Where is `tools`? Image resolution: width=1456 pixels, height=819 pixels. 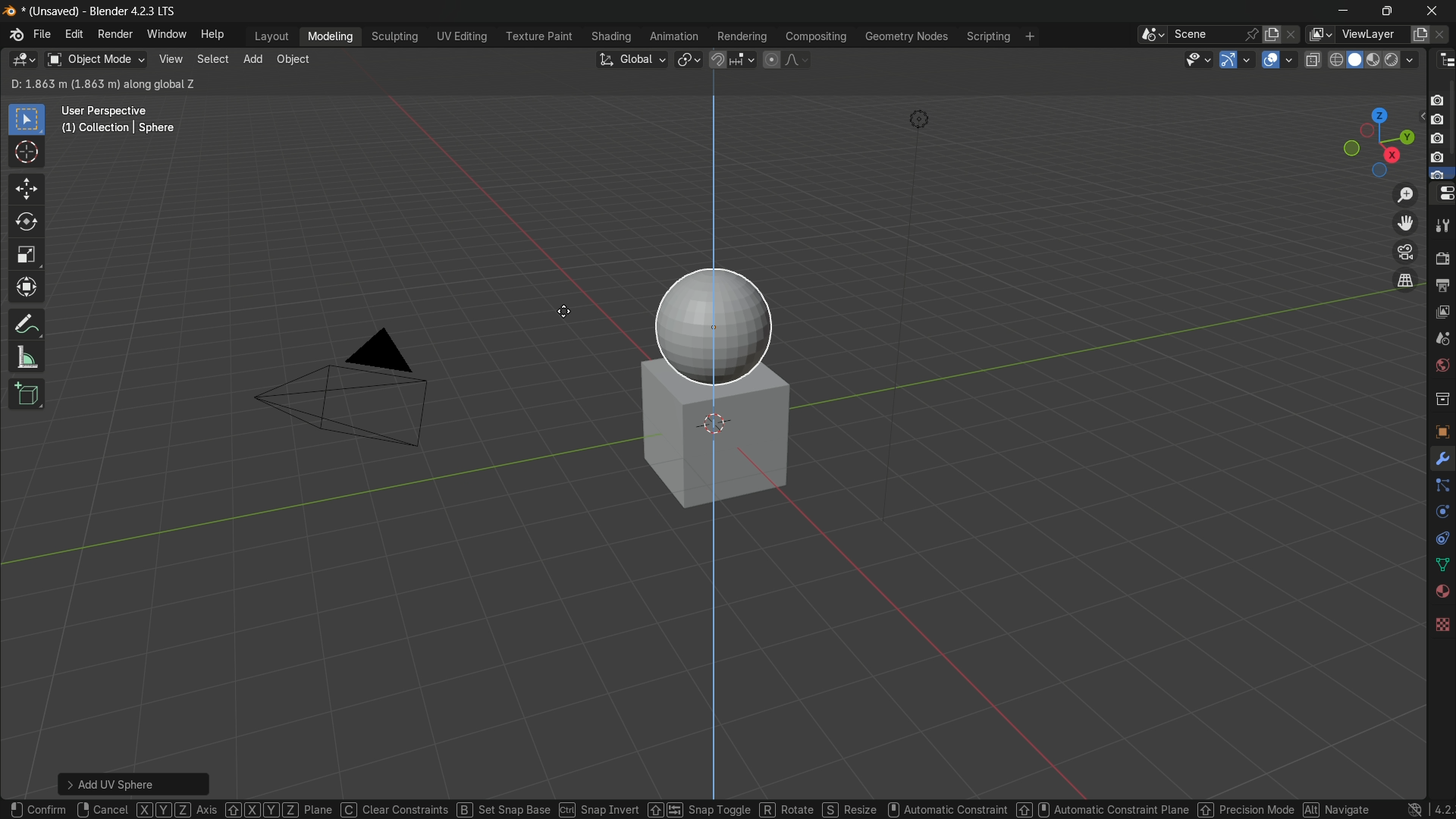
tools is located at coordinates (1442, 223).